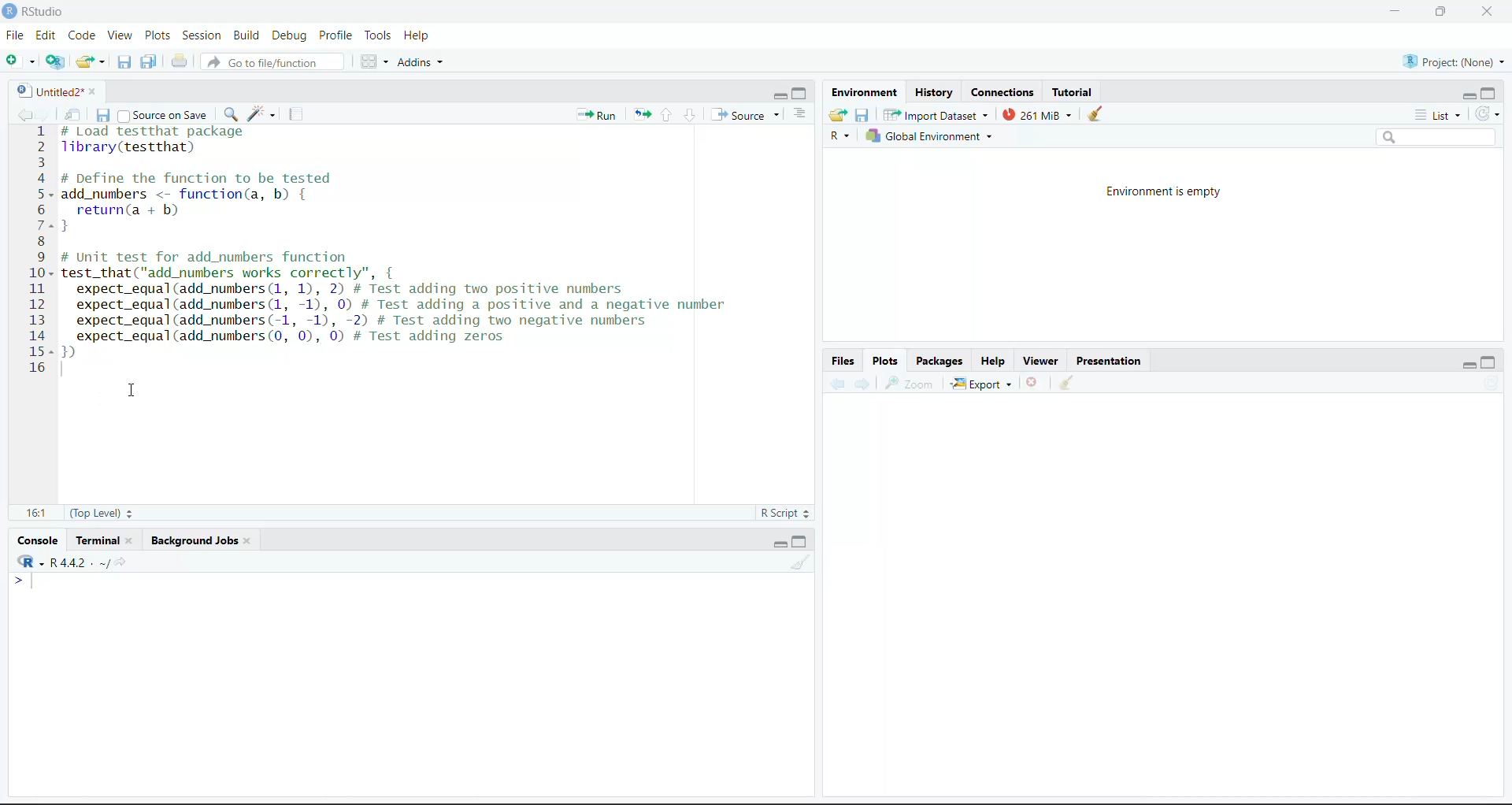  I want to click on minimize, so click(779, 543).